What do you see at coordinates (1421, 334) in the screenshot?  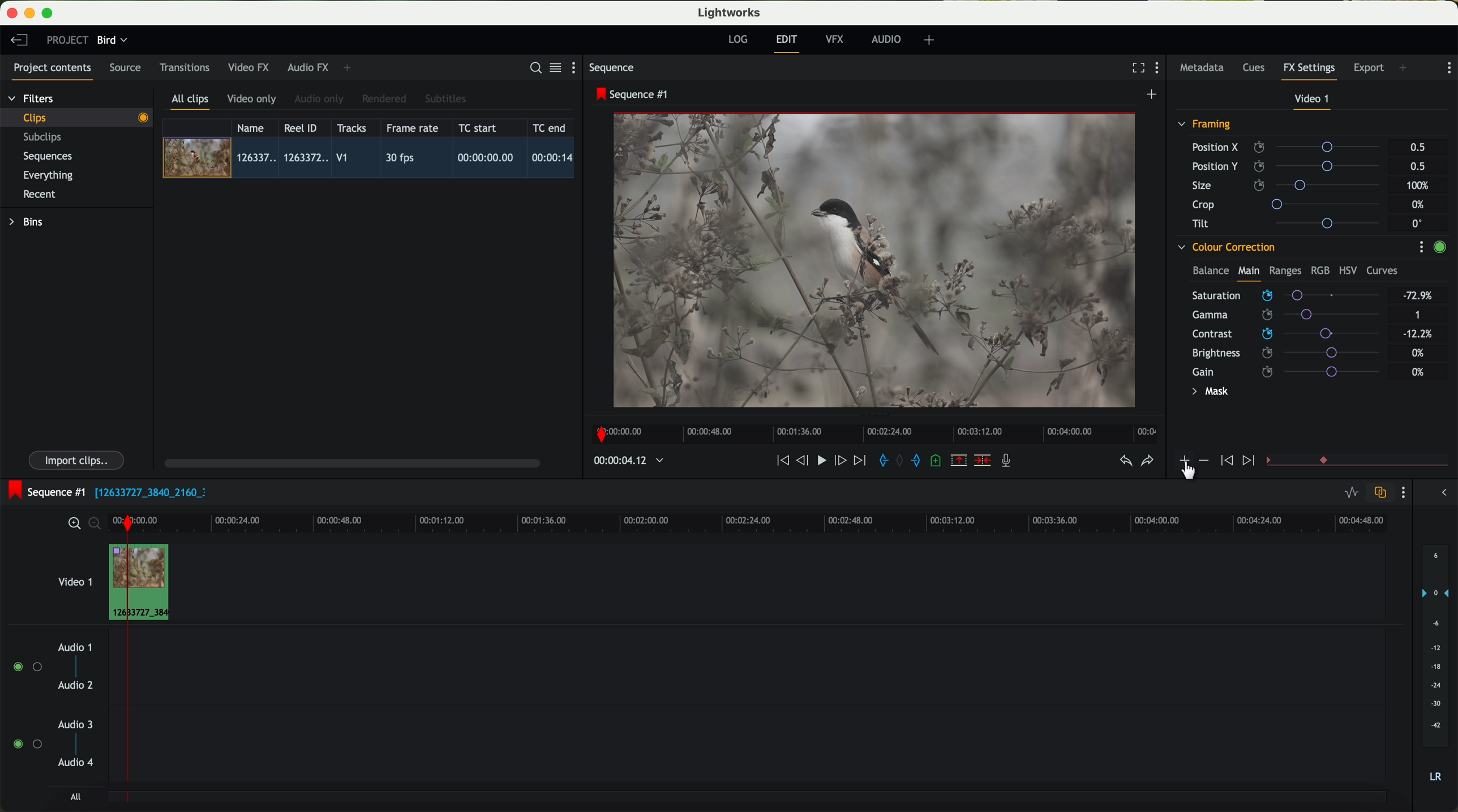 I see `40.1%` at bounding box center [1421, 334].